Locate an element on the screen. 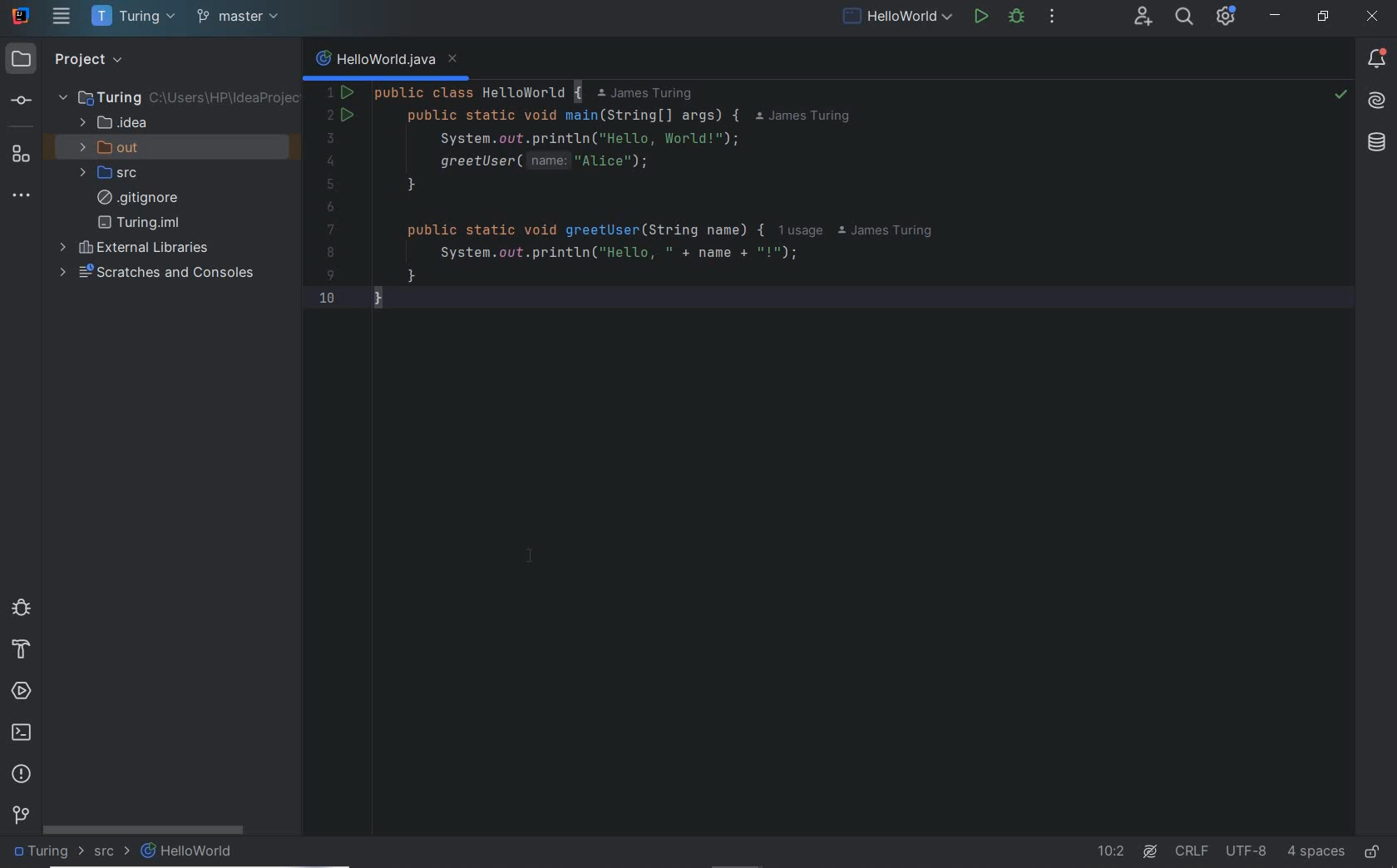 The width and height of the screenshot is (1397, 868). out is located at coordinates (115, 147).